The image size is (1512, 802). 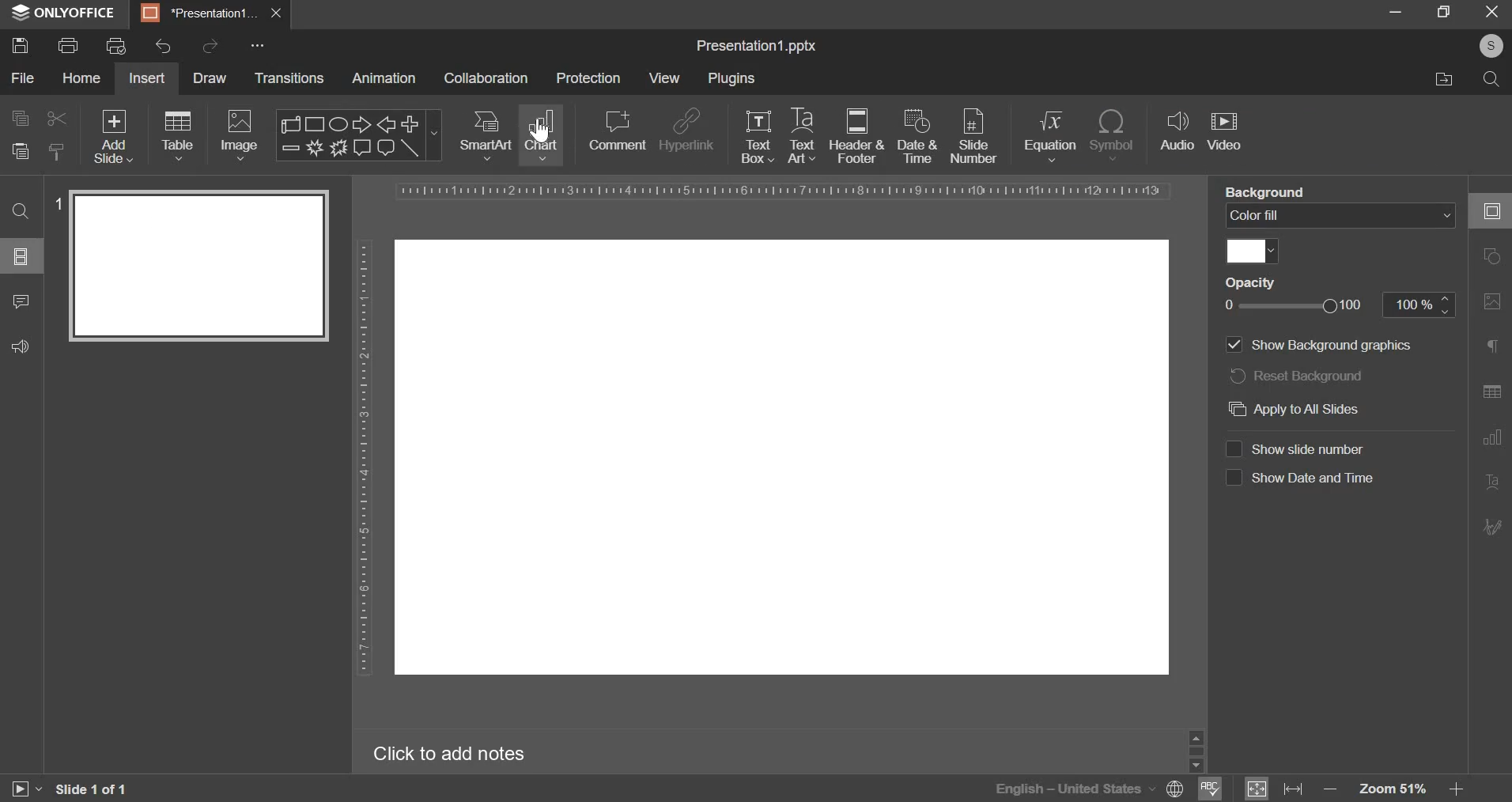 What do you see at coordinates (800, 134) in the screenshot?
I see `text art` at bounding box center [800, 134].